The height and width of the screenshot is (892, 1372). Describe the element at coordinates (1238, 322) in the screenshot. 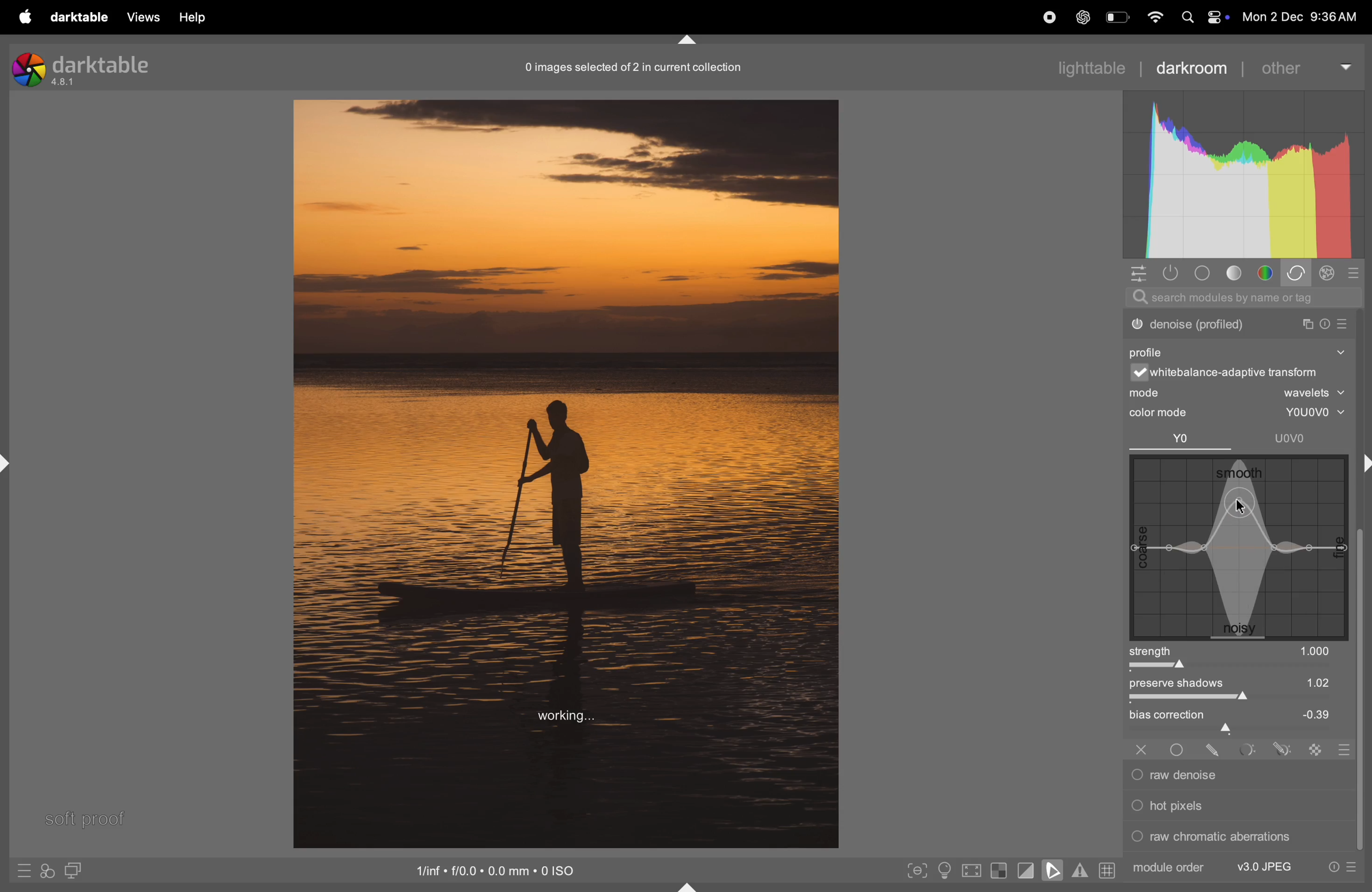

I see `dither or posterize` at that location.